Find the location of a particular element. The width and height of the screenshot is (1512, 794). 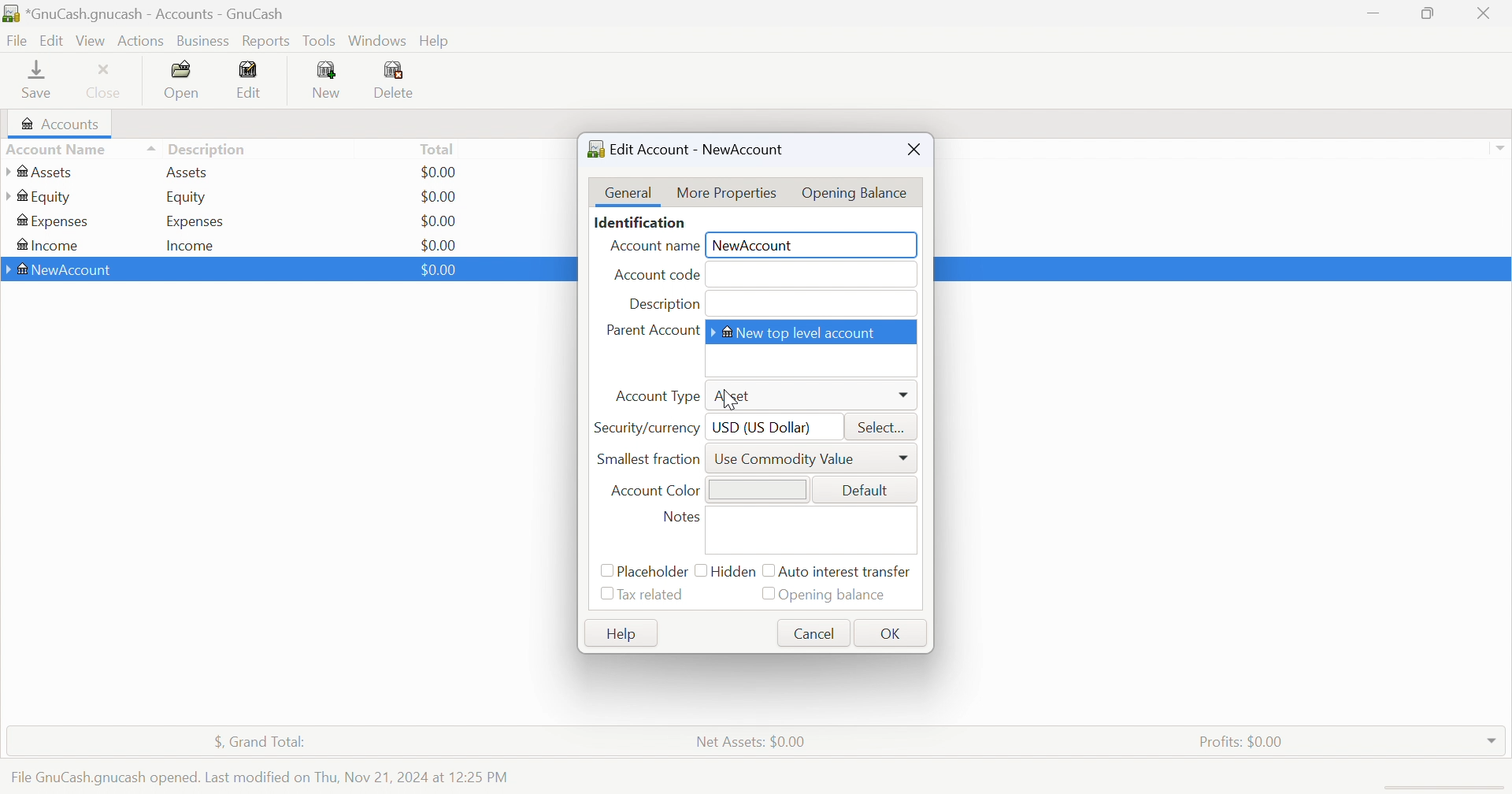

Net Assets: $0.00 is located at coordinates (750, 742).